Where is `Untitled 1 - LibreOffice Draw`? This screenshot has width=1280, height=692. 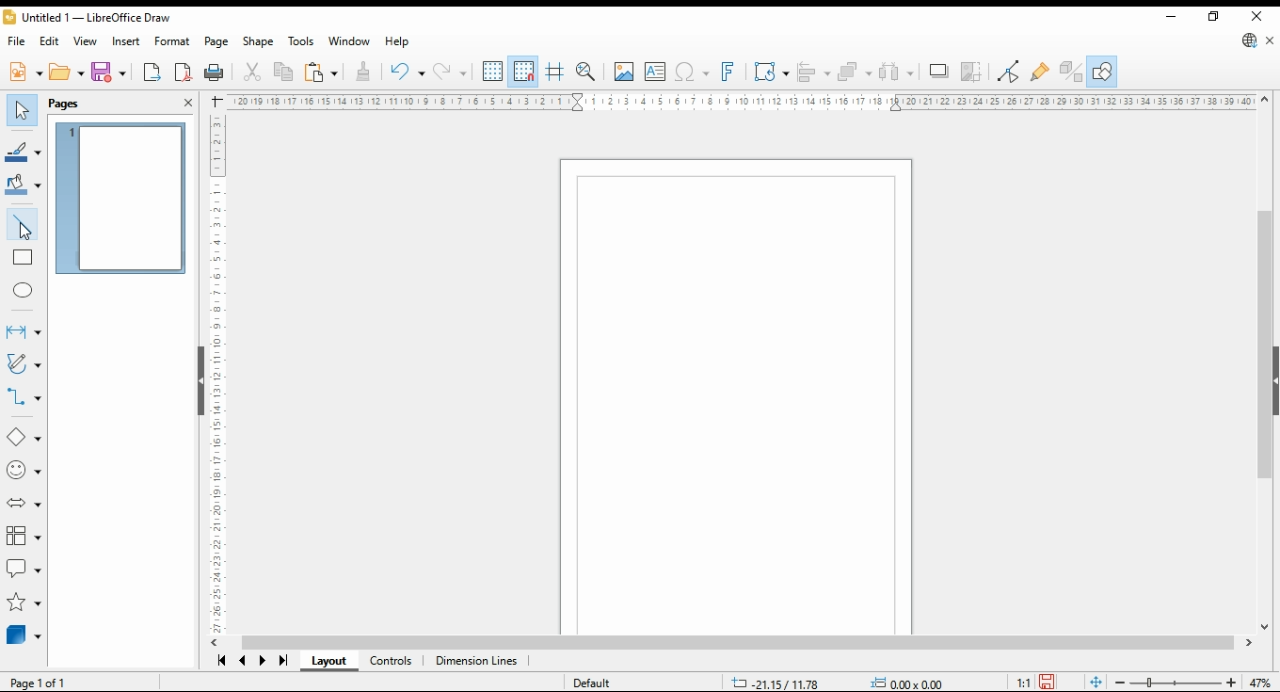
Untitled 1 - LibreOffice Draw is located at coordinates (86, 19).